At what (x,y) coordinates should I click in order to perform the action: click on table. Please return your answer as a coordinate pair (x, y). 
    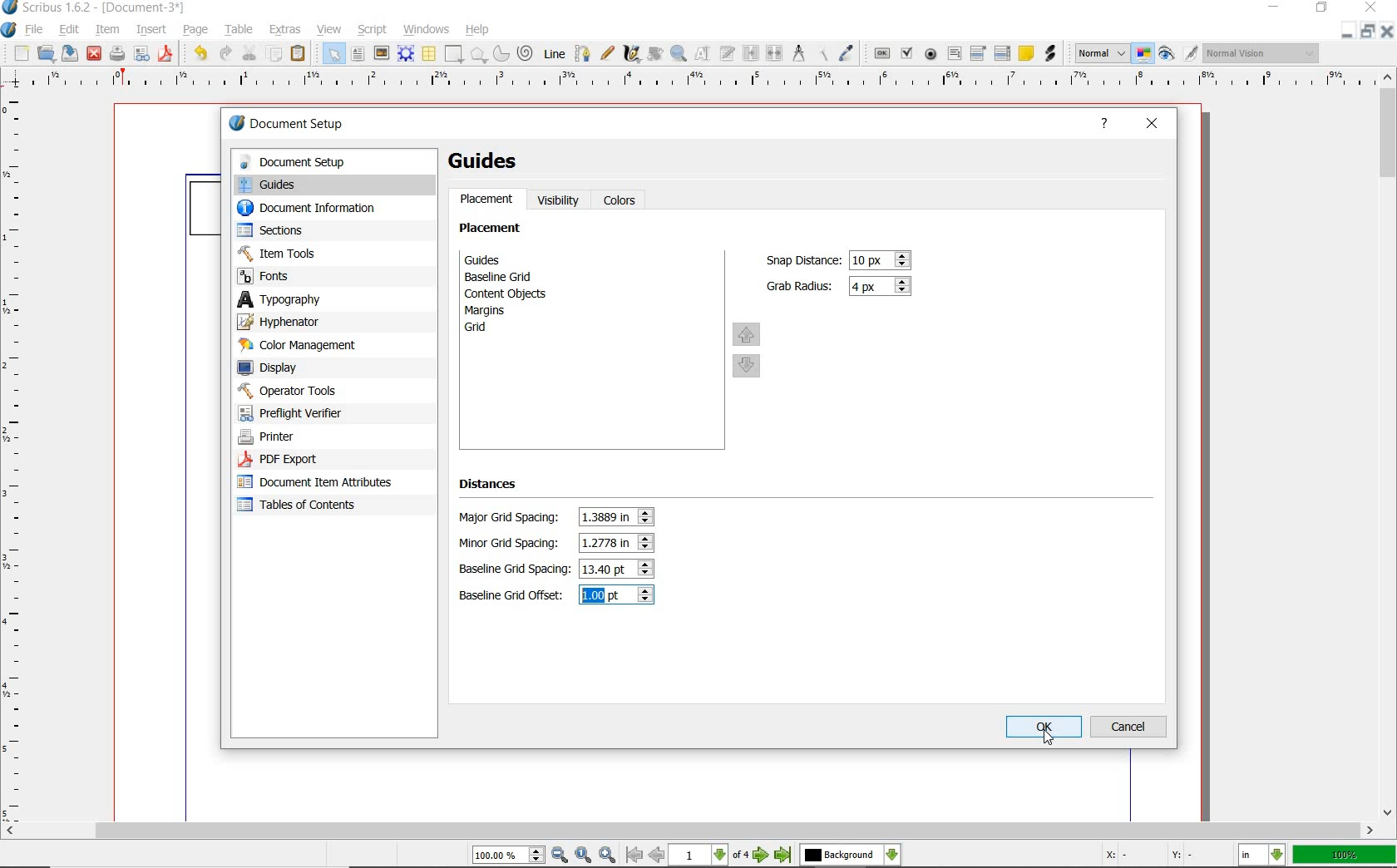
    Looking at the image, I should click on (429, 55).